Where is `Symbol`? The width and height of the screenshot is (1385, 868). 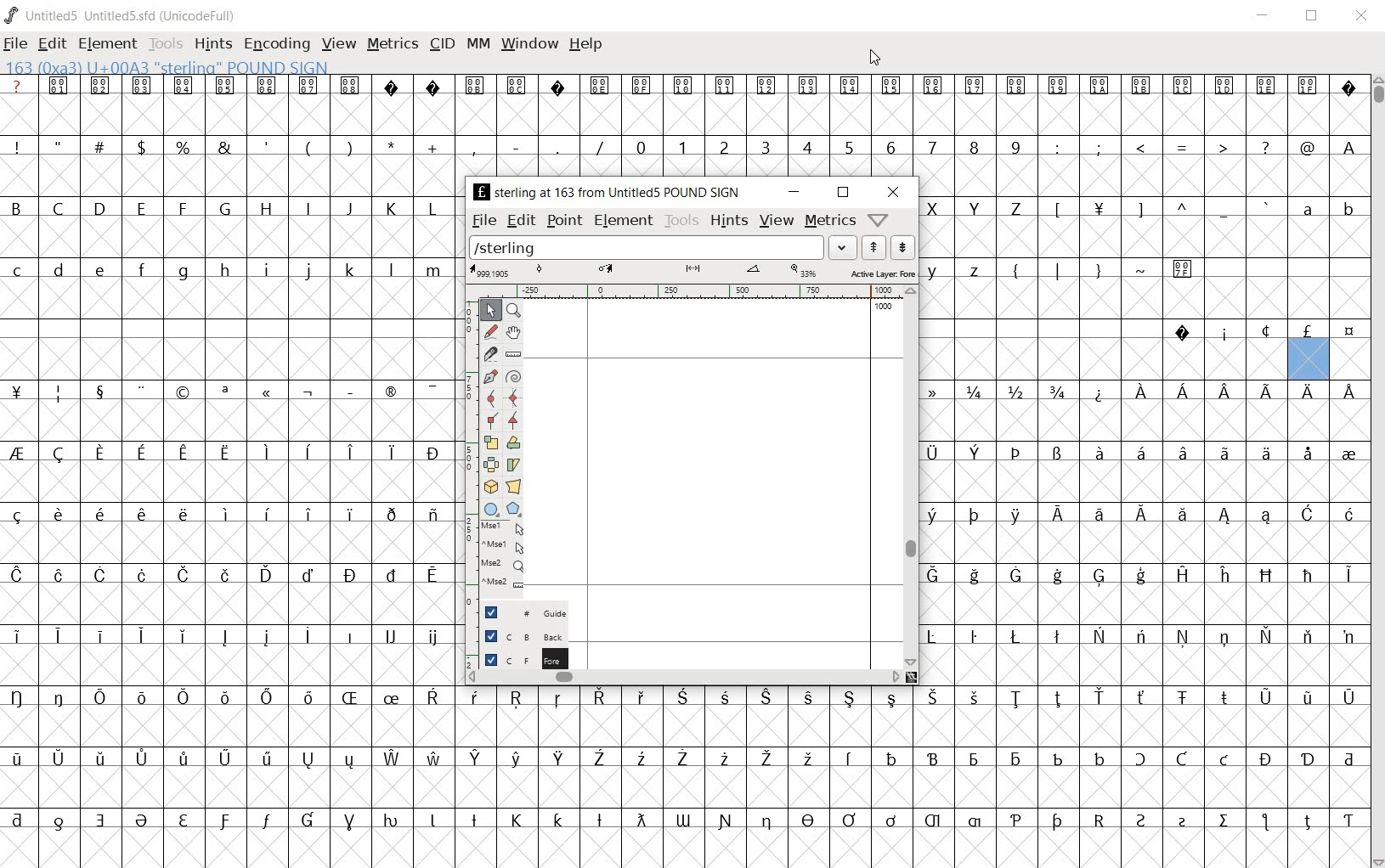
Symbol is located at coordinates (1141, 577).